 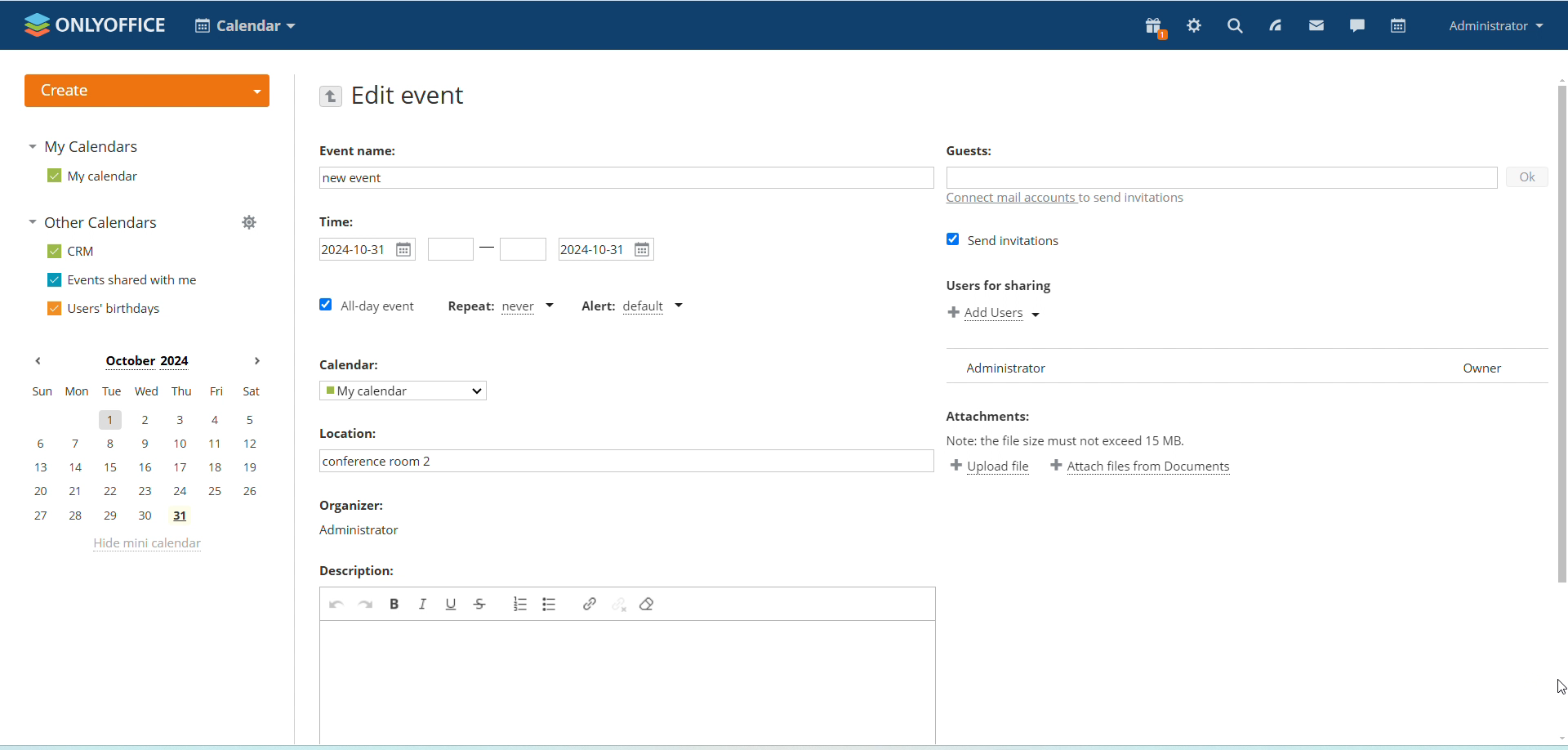 What do you see at coordinates (1356, 25) in the screenshot?
I see `chat` at bounding box center [1356, 25].